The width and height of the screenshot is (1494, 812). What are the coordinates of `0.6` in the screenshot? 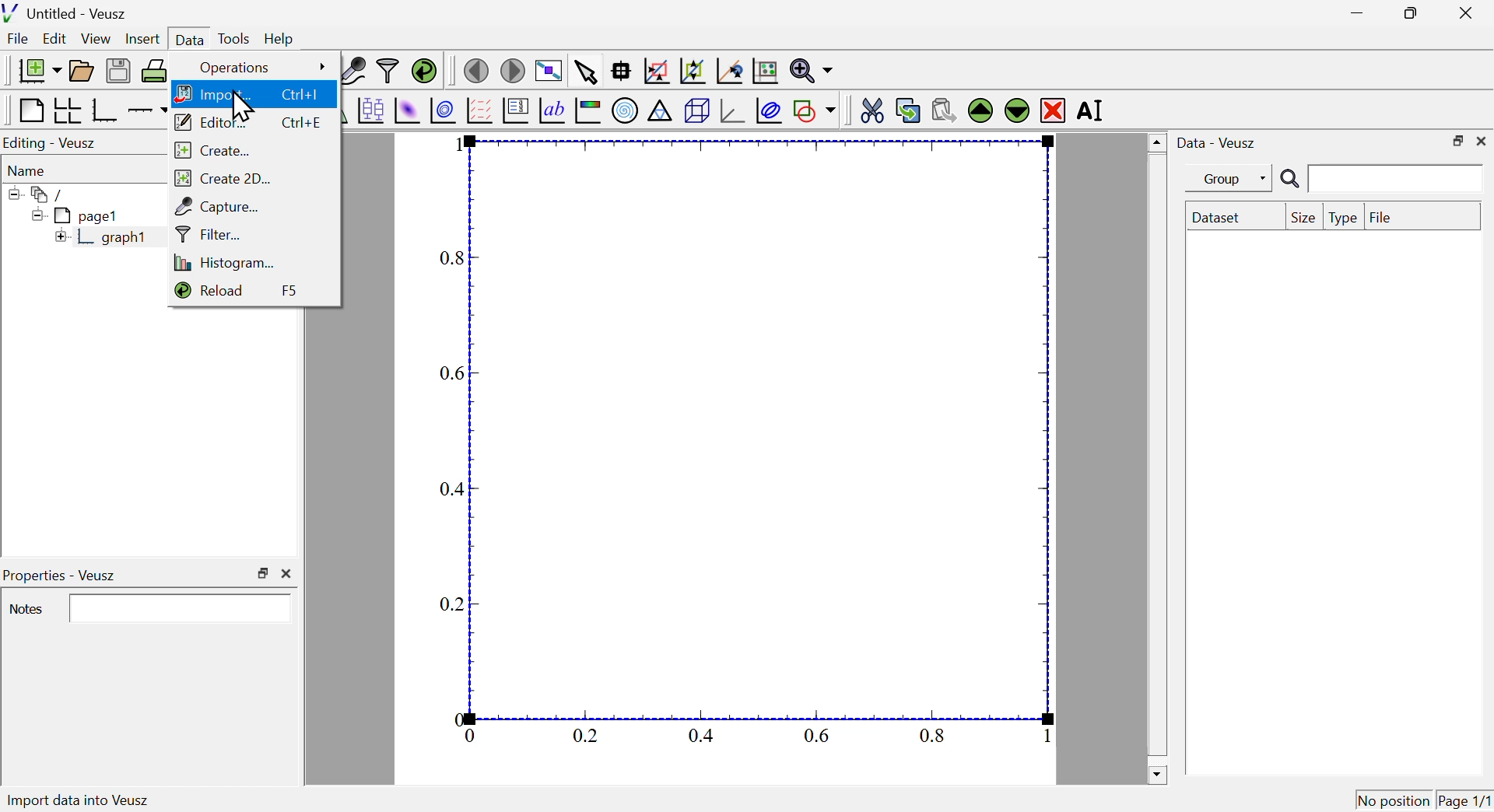 It's located at (816, 735).